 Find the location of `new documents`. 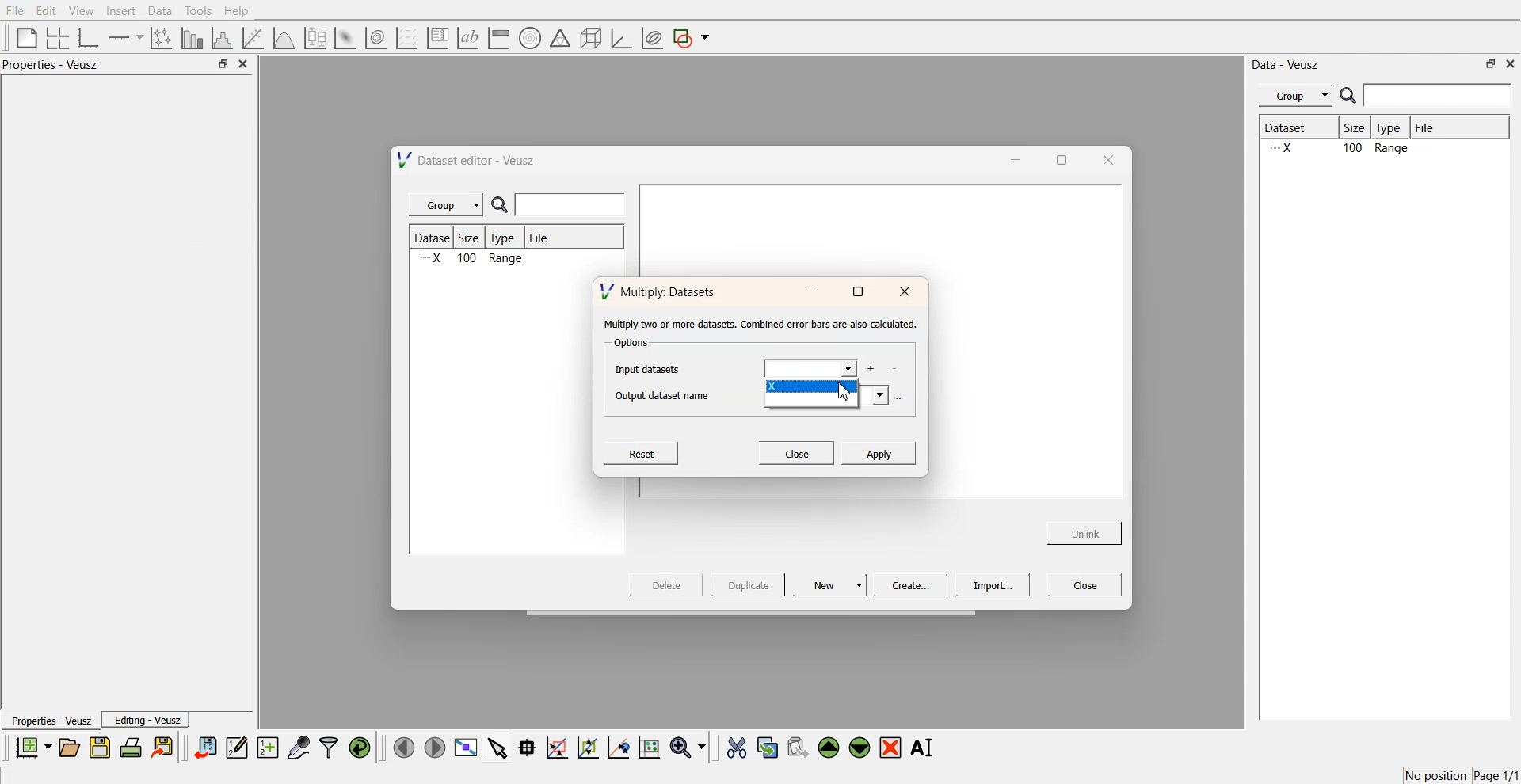

new documents is located at coordinates (32, 747).